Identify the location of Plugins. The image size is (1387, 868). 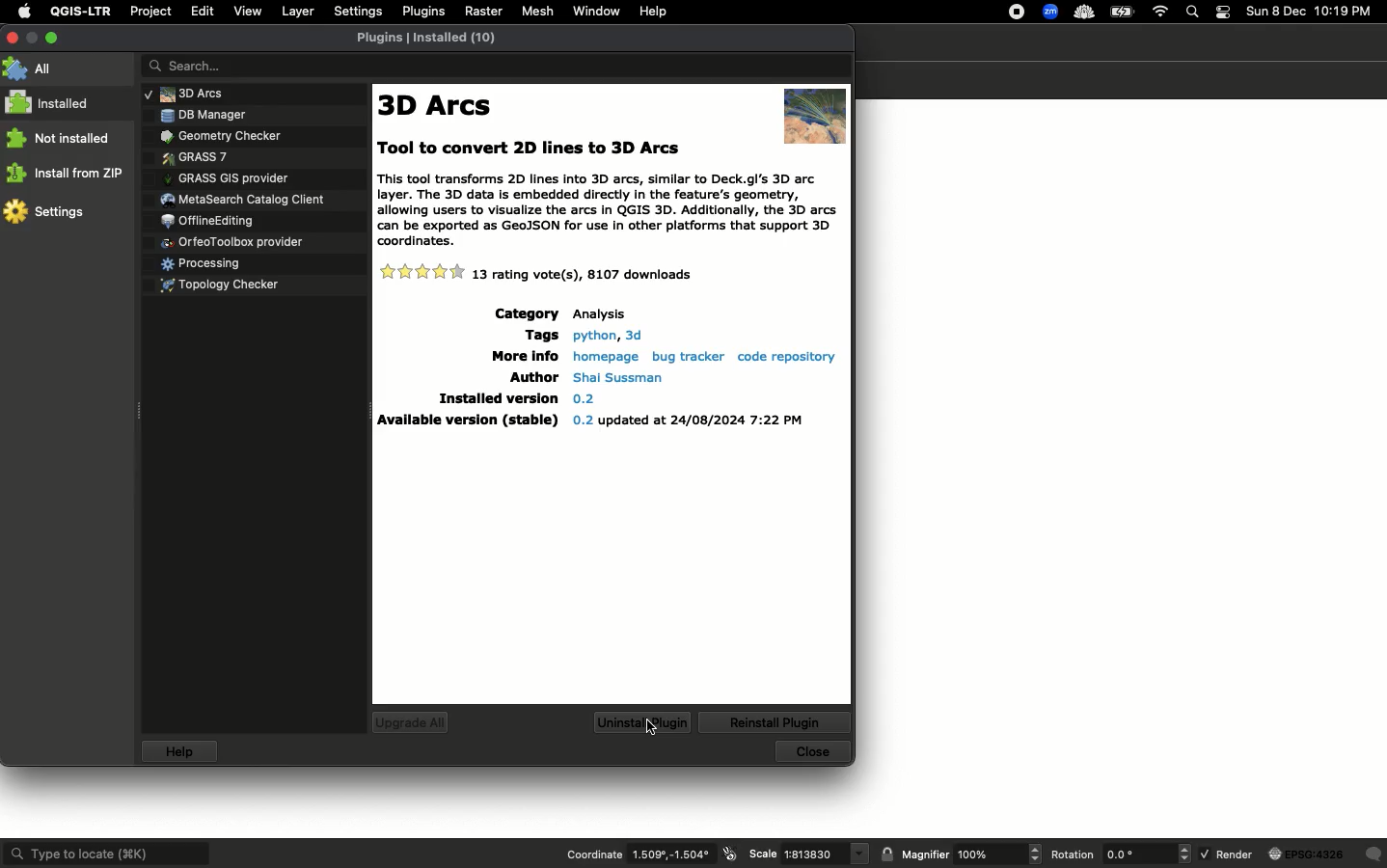
(204, 260).